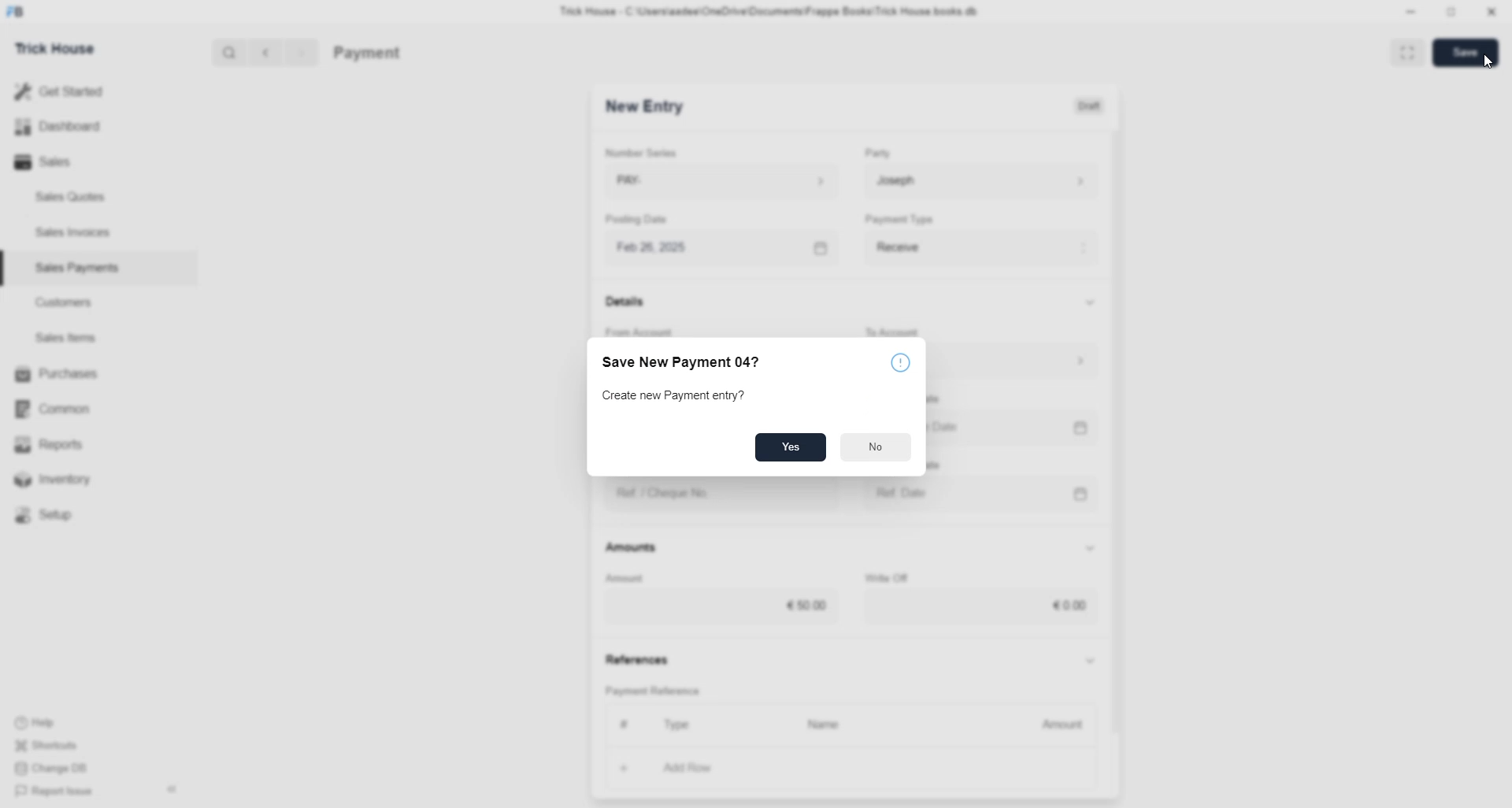 This screenshot has height=808, width=1512. What do you see at coordinates (302, 54) in the screenshot?
I see `Forward` at bounding box center [302, 54].